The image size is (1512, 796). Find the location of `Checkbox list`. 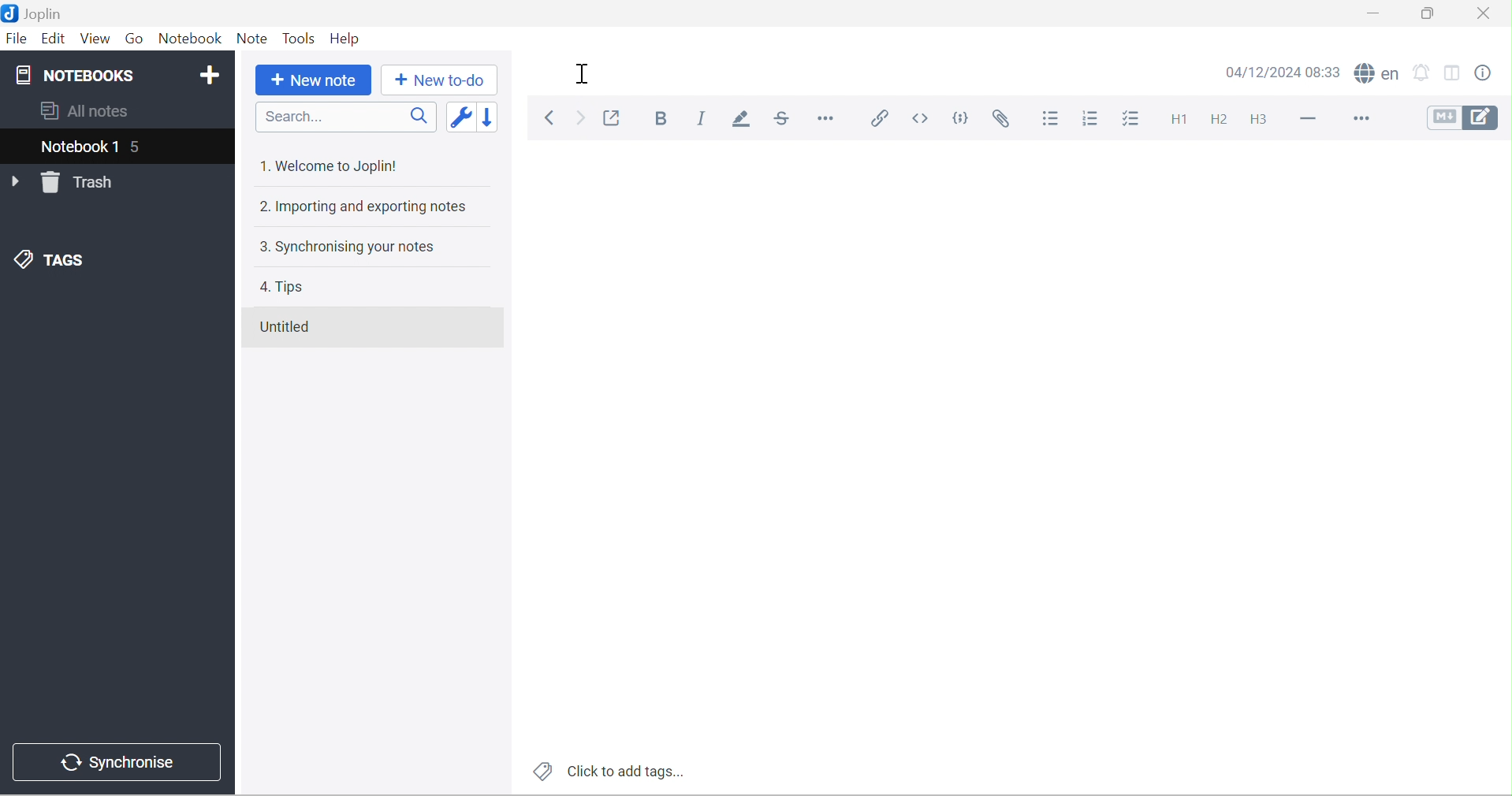

Checkbox list is located at coordinates (1134, 119).